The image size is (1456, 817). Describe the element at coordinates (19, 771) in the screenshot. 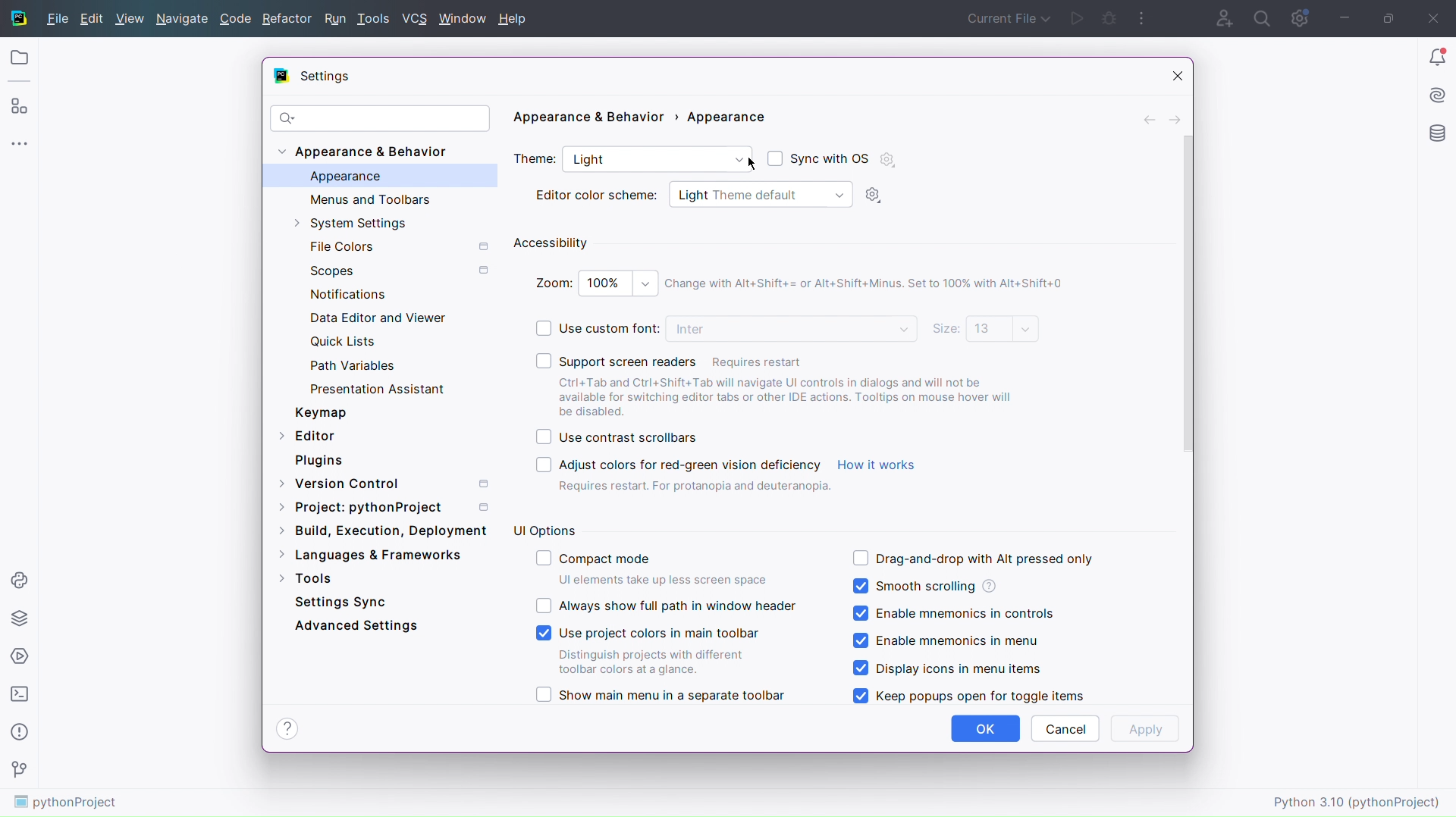

I see `Version Control` at that location.